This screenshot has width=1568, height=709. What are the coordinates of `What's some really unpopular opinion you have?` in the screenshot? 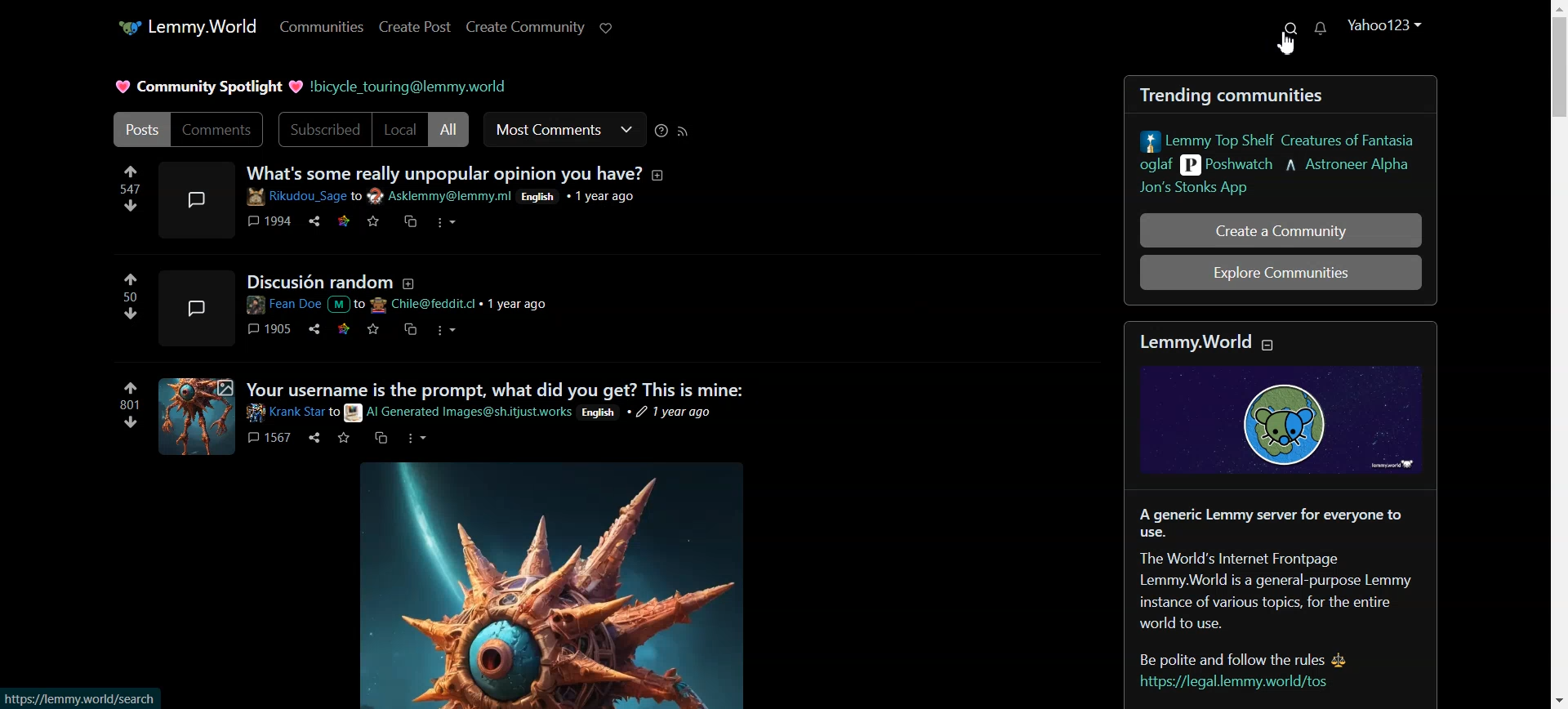 It's located at (460, 172).